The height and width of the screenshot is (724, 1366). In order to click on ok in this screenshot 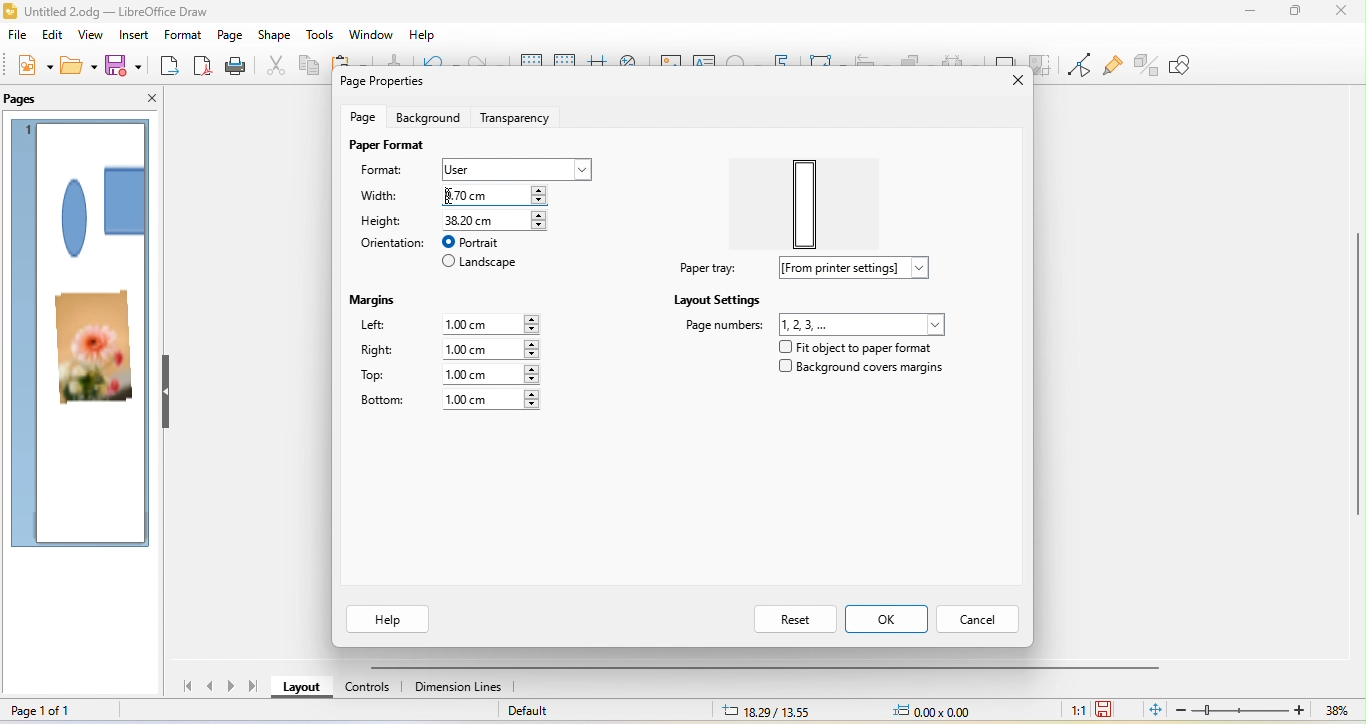, I will do `click(892, 619)`.